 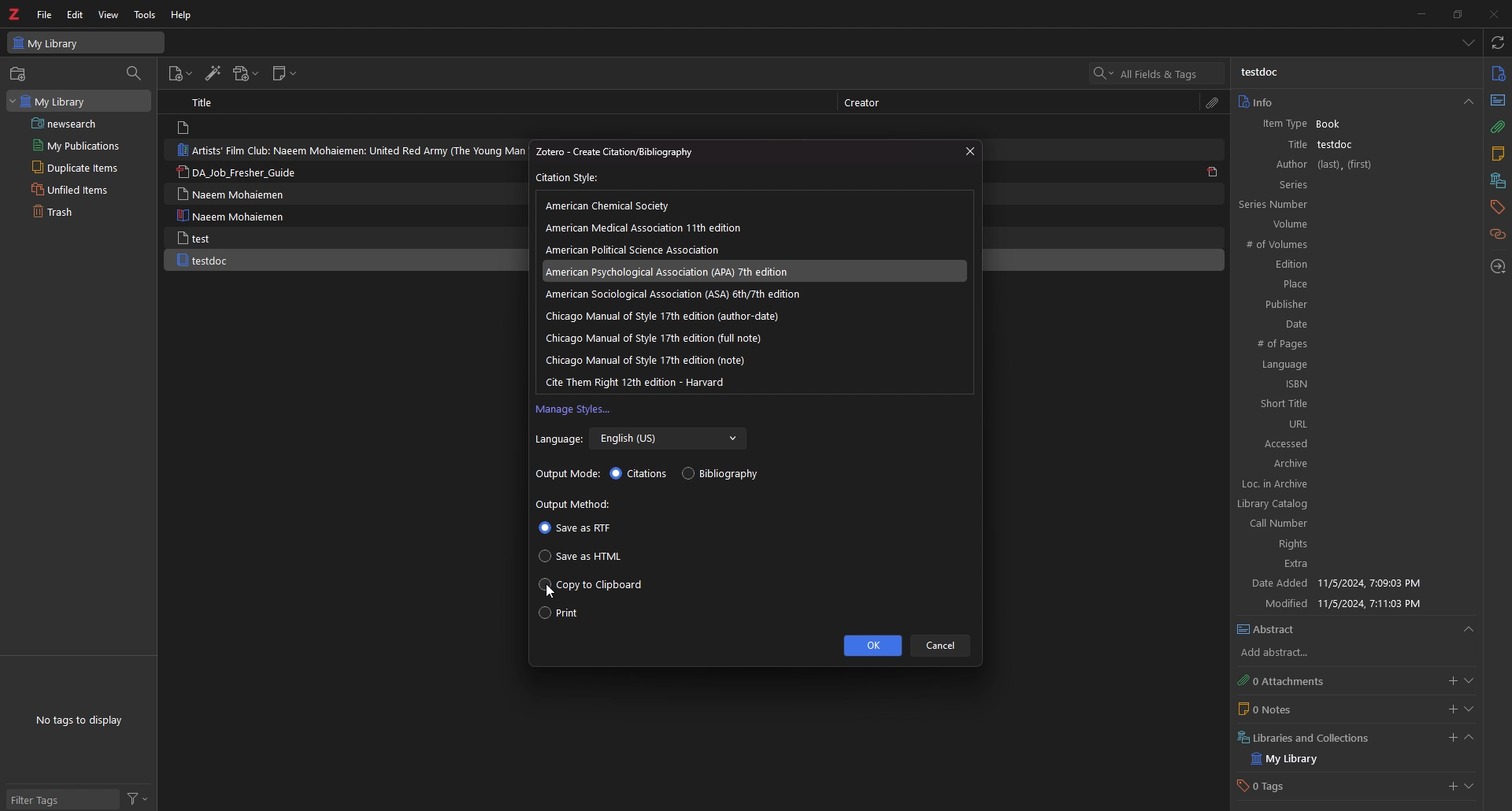 I want to click on minimize, so click(x=1417, y=13).